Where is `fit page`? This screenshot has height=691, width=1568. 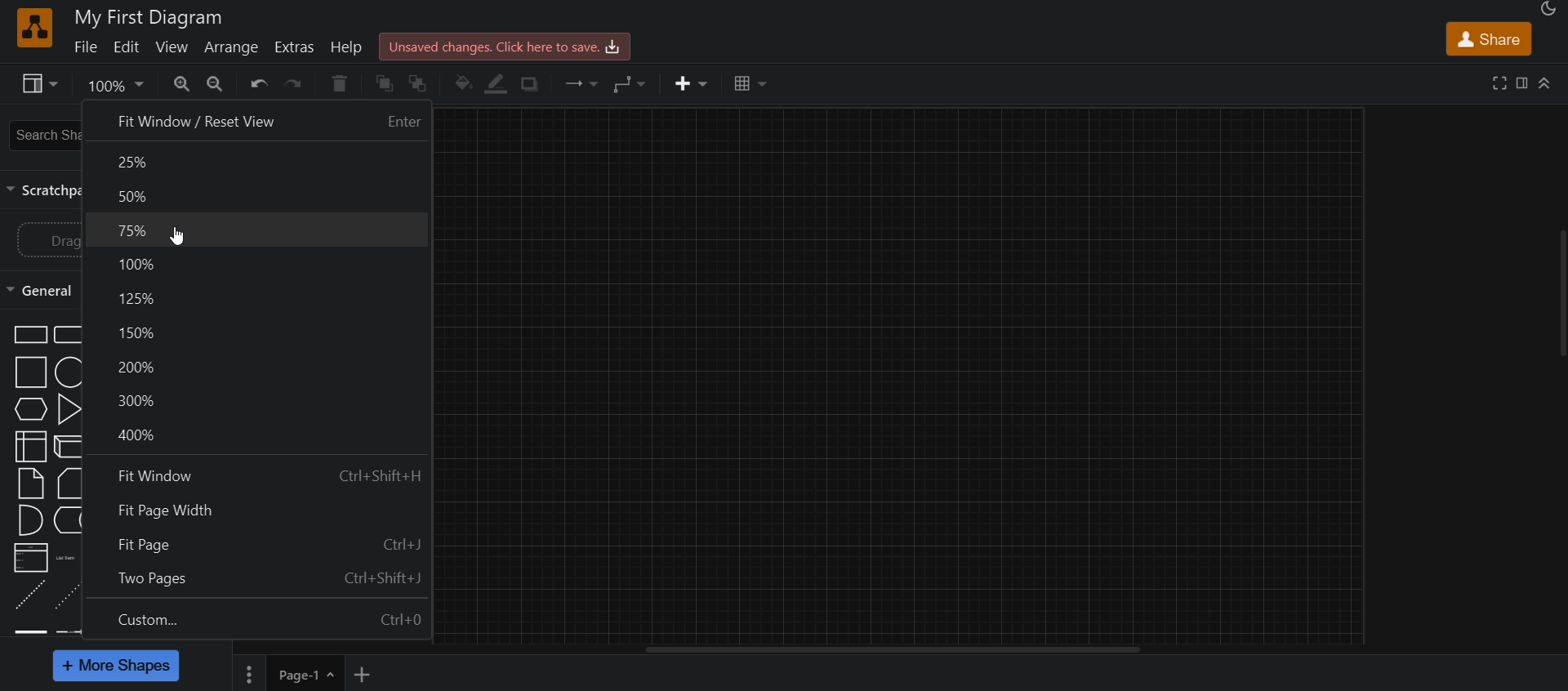
fit page is located at coordinates (260, 545).